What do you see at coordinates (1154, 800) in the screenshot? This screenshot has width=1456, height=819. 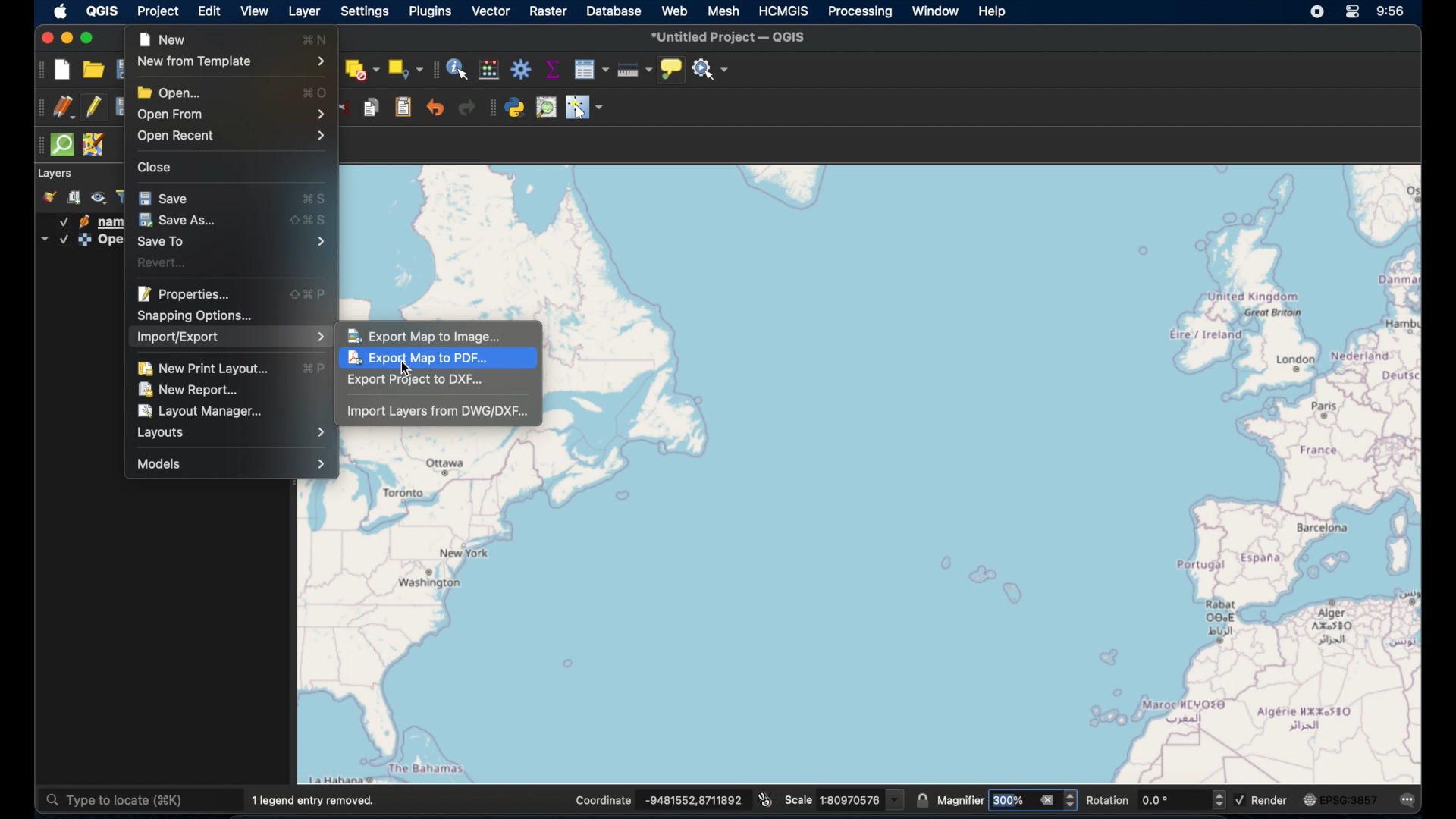 I see `rotation` at bounding box center [1154, 800].